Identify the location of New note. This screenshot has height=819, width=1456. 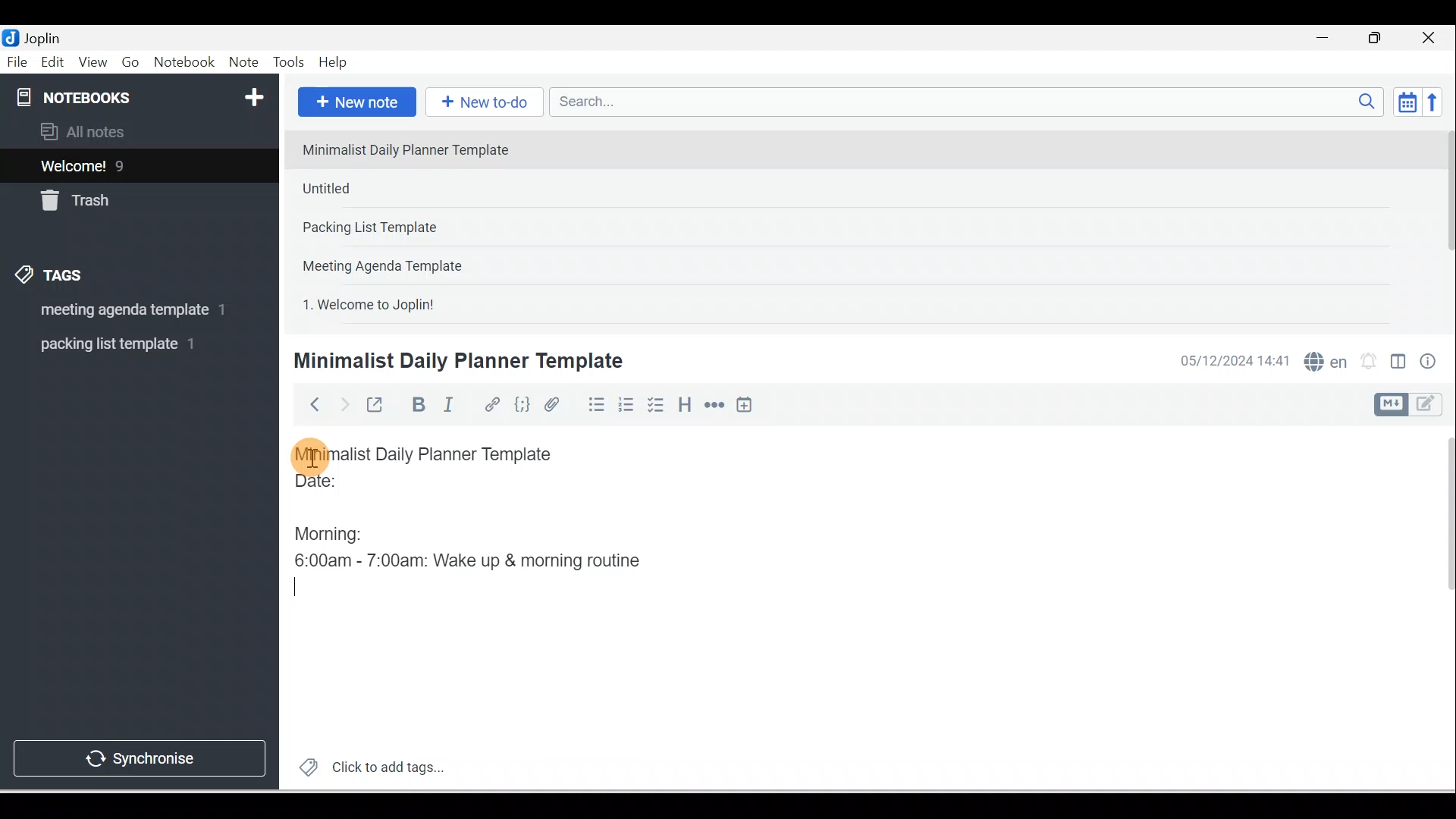
(354, 103).